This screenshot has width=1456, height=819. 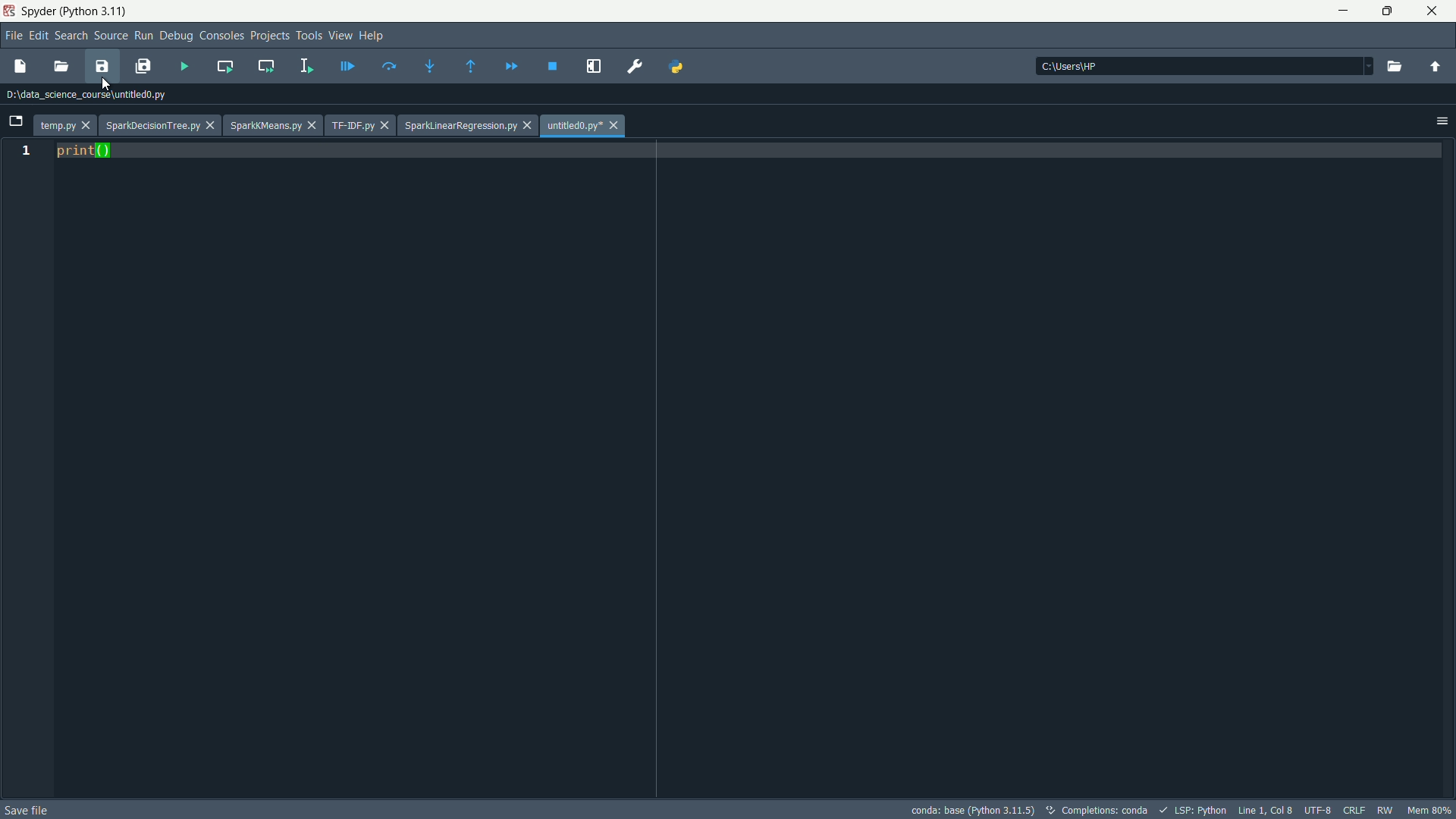 What do you see at coordinates (554, 65) in the screenshot?
I see `stop debugging` at bounding box center [554, 65].